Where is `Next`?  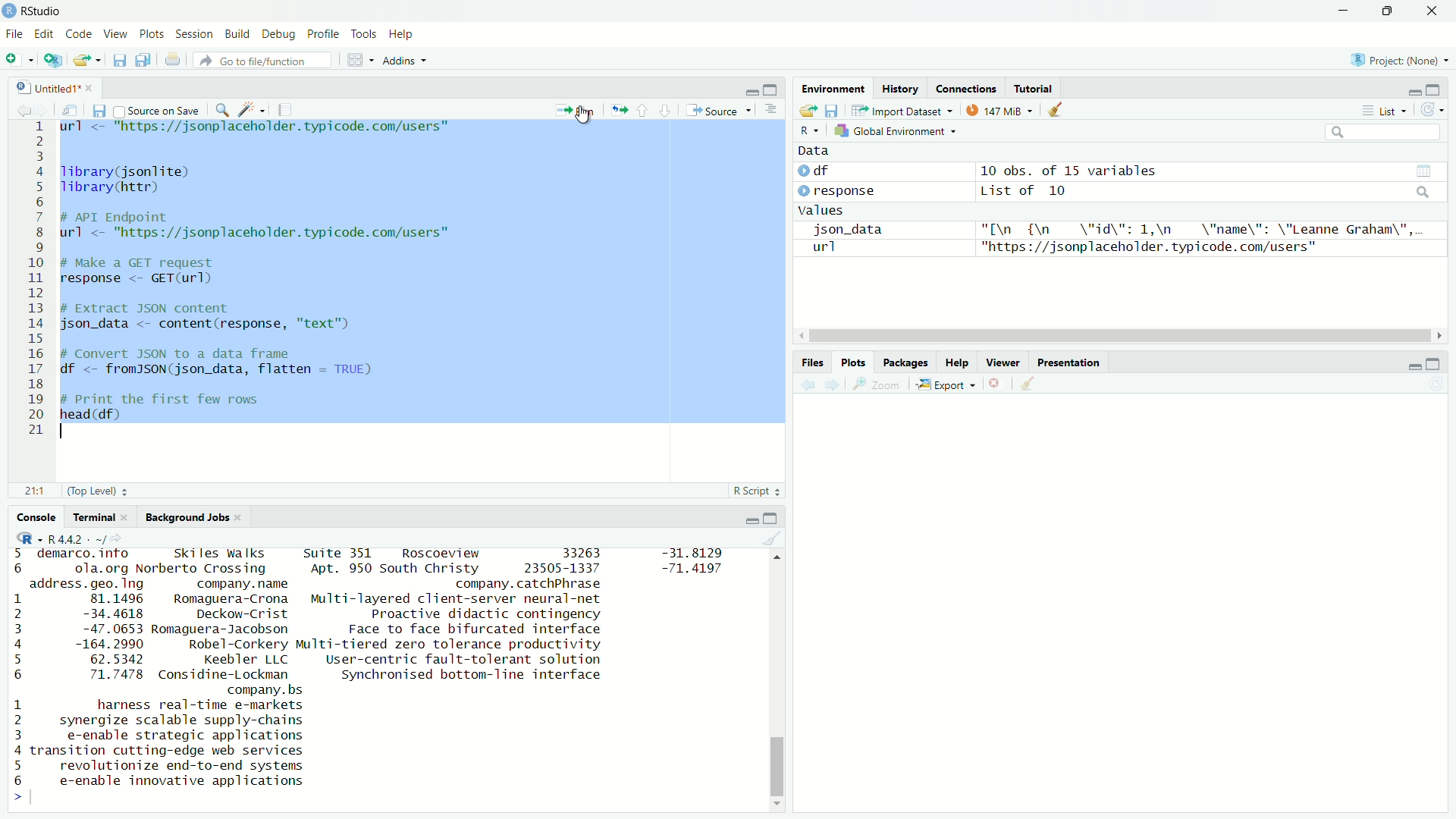 Next is located at coordinates (834, 386).